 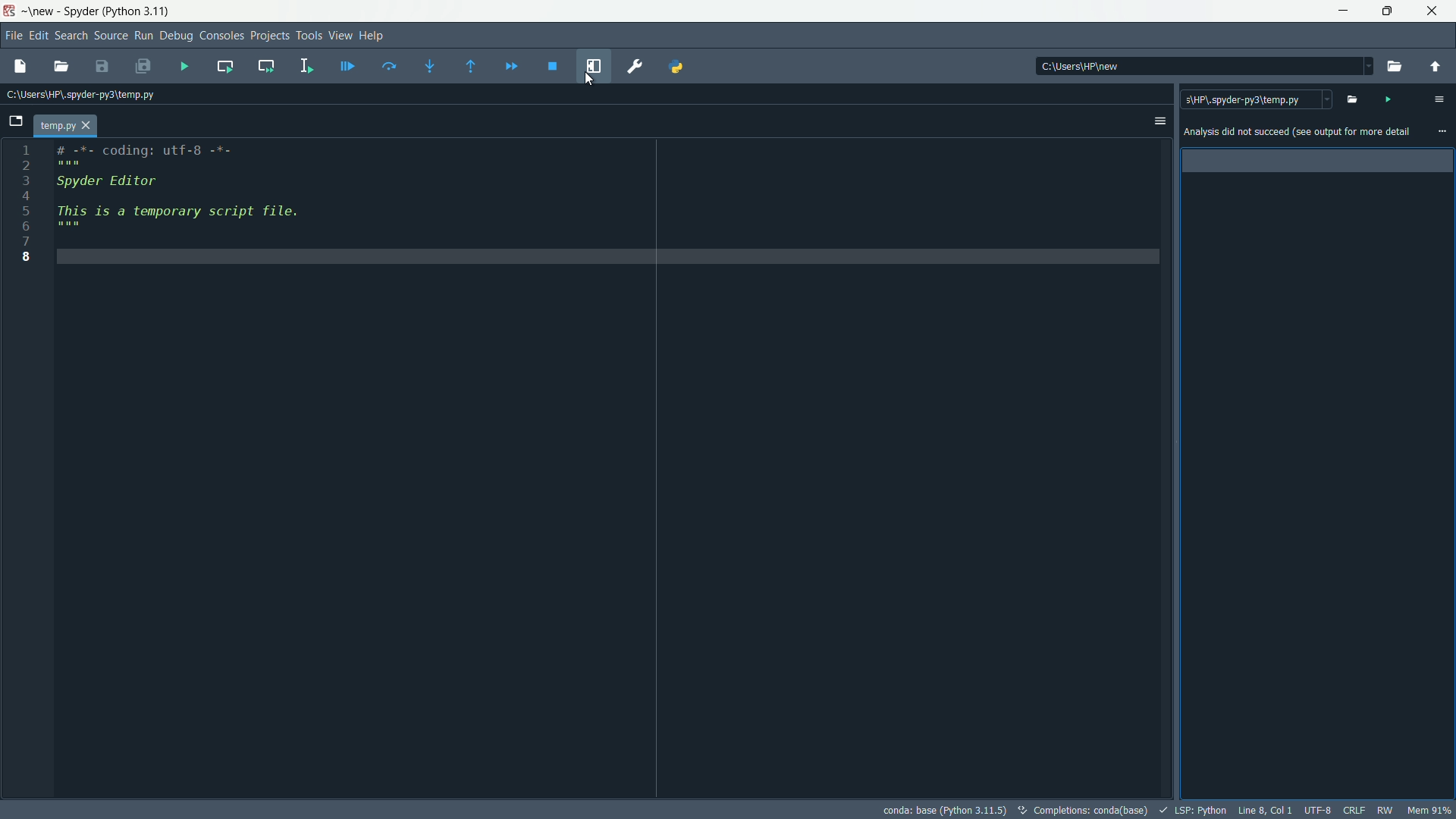 What do you see at coordinates (1200, 810) in the screenshot?
I see `LSP:Python` at bounding box center [1200, 810].